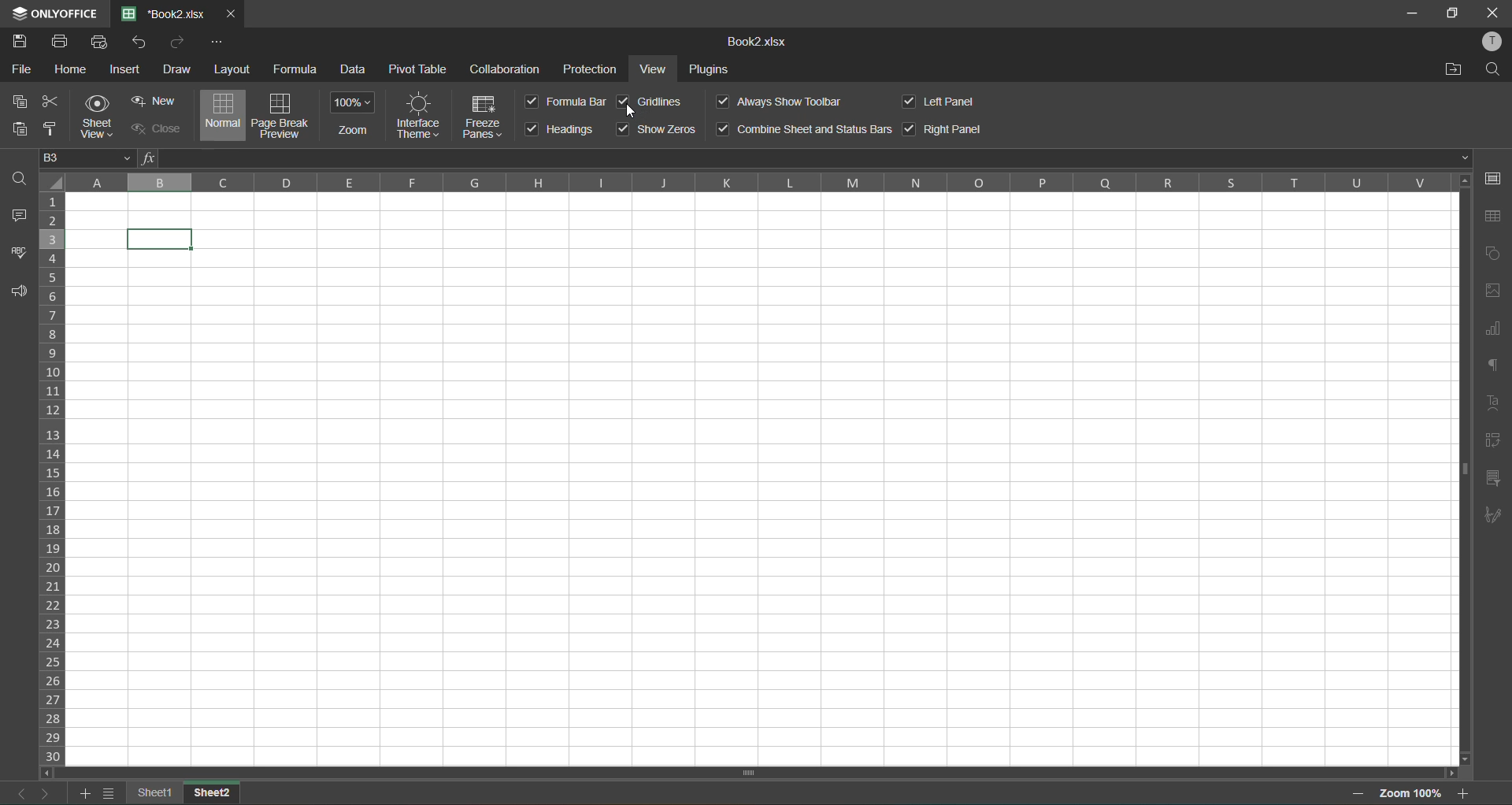 The height and width of the screenshot is (805, 1512). I want to click on add list, so click(86, 796).